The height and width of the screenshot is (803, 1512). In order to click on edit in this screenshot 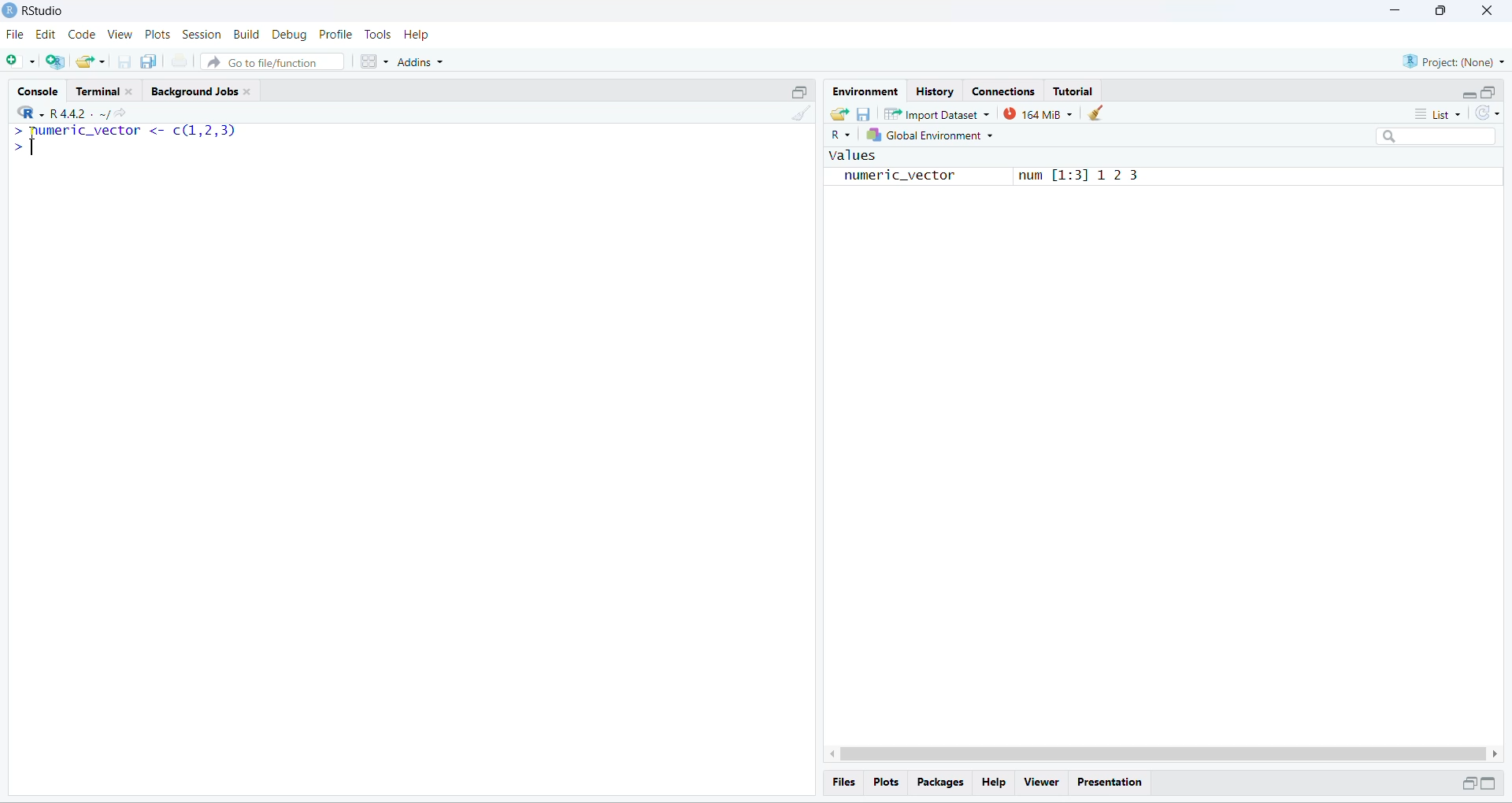, I will do `click(45, 35)`.